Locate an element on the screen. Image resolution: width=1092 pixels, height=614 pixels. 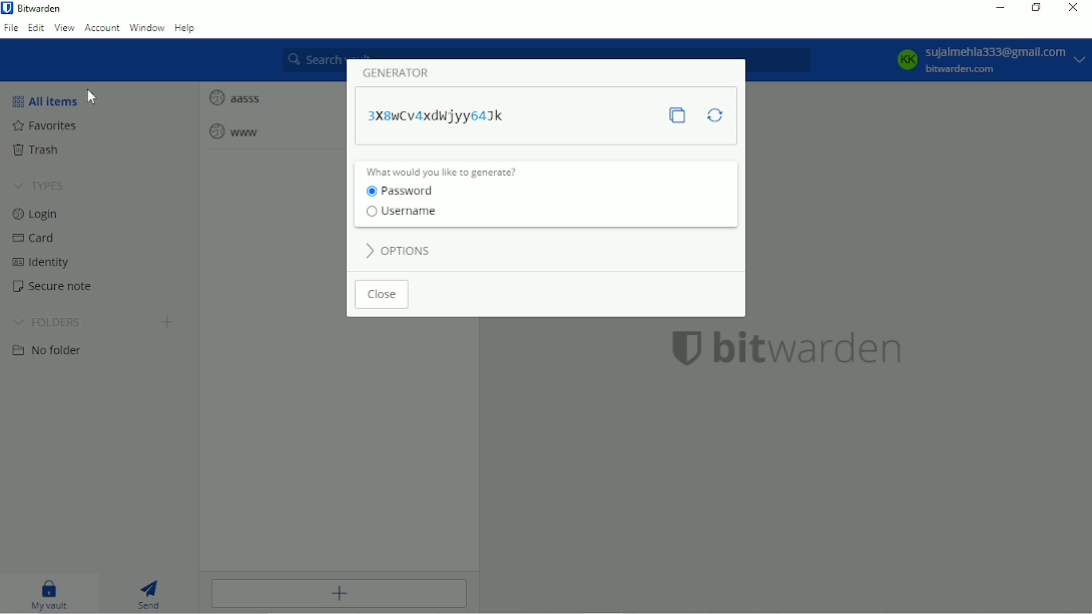
Card is located at coordinates (36, 236).